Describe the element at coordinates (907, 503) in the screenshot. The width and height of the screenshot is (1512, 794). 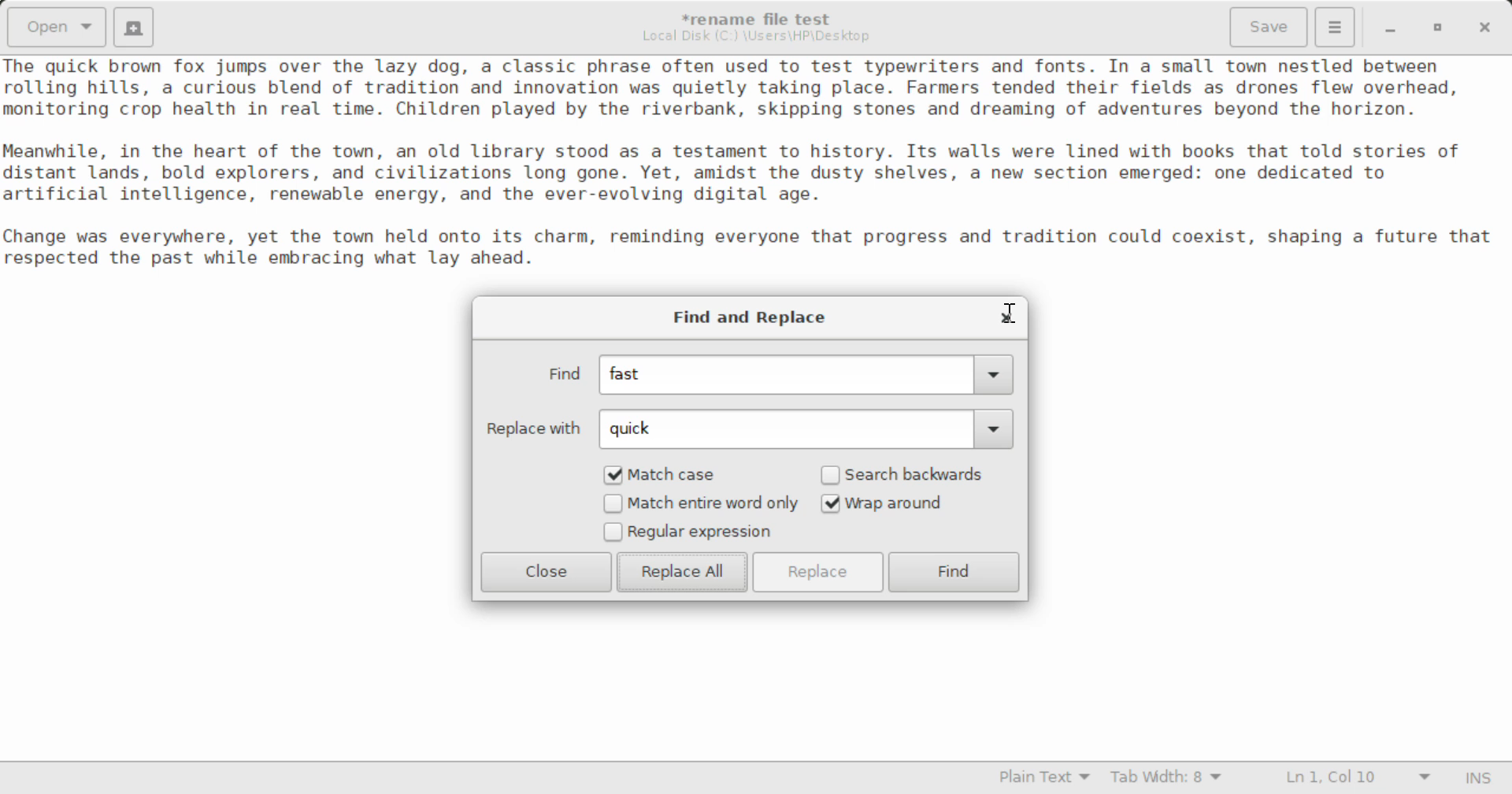
I see `Wrap around` at that location.